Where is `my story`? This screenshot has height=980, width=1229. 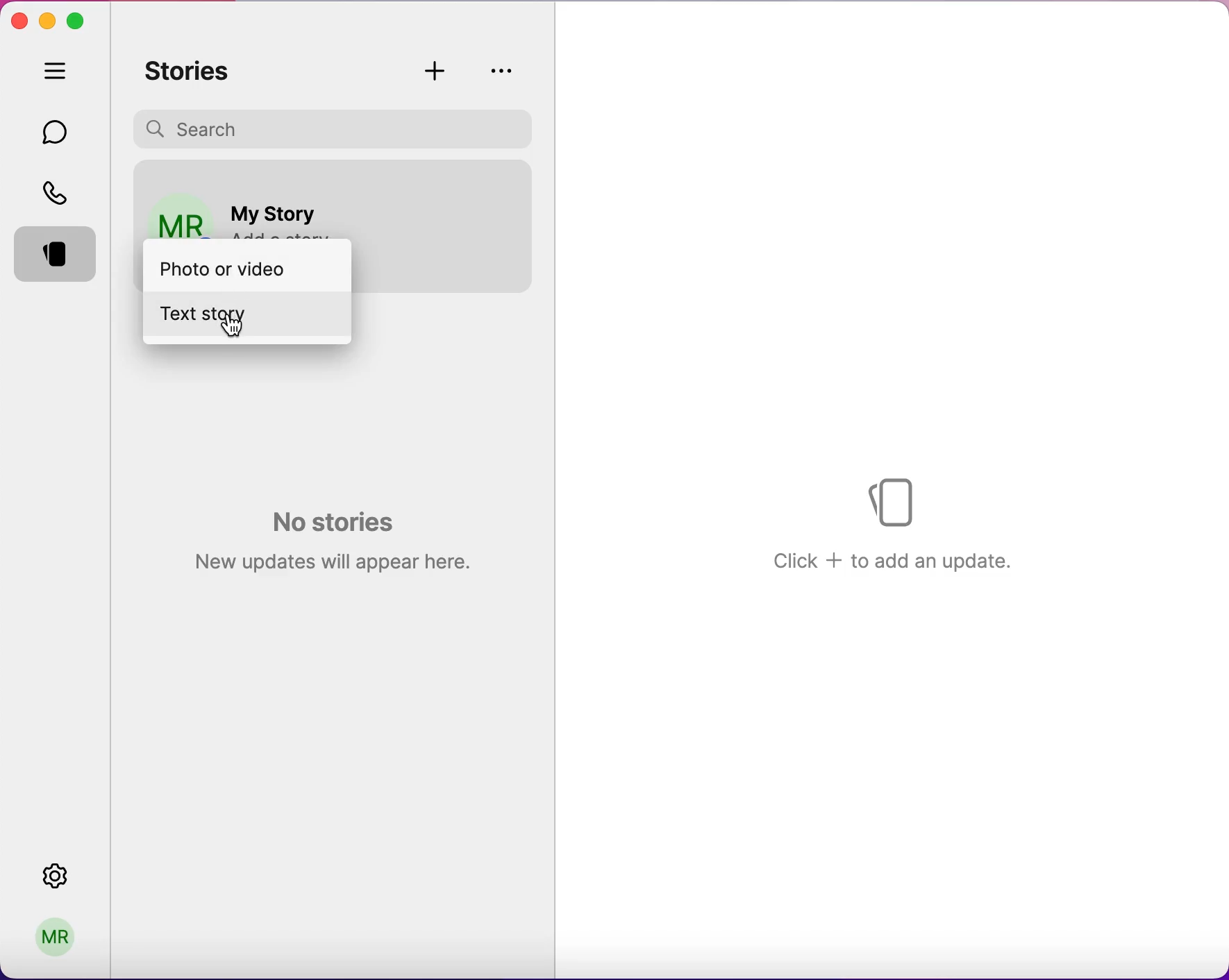
my story is located at coordinates (277, 207).